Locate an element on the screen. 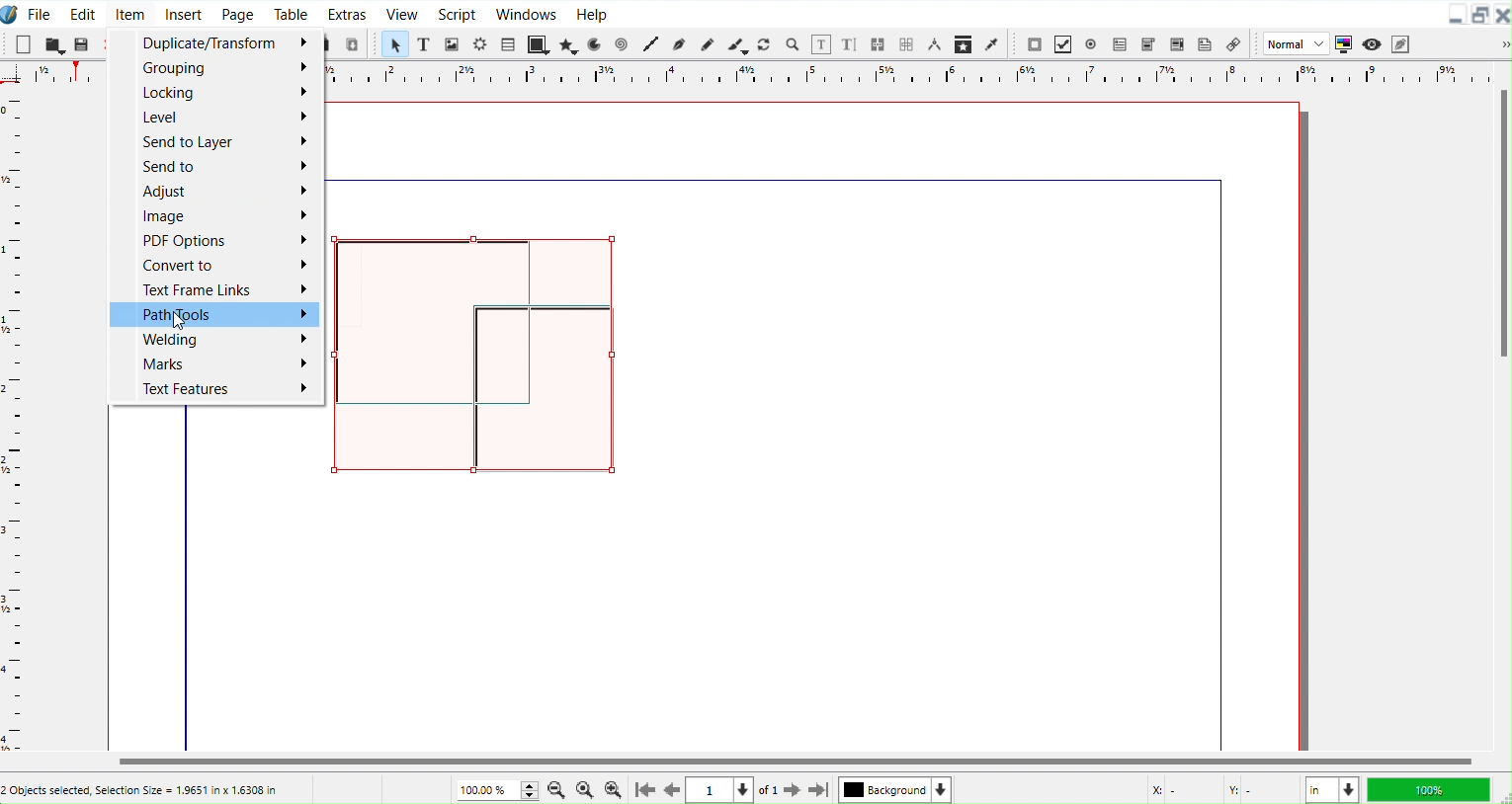  Shapes are selected is located at coordinates (479, 356).